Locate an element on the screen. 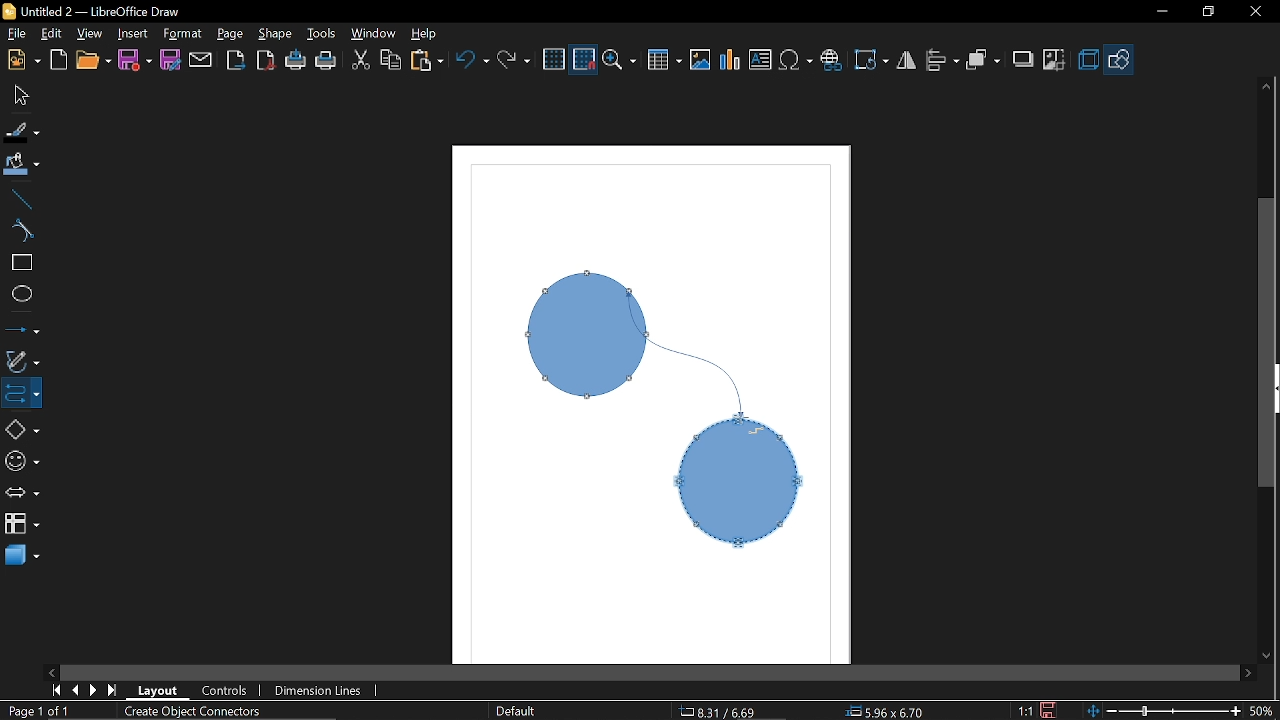  Curves and polygons is located at coordinates (22, 362).